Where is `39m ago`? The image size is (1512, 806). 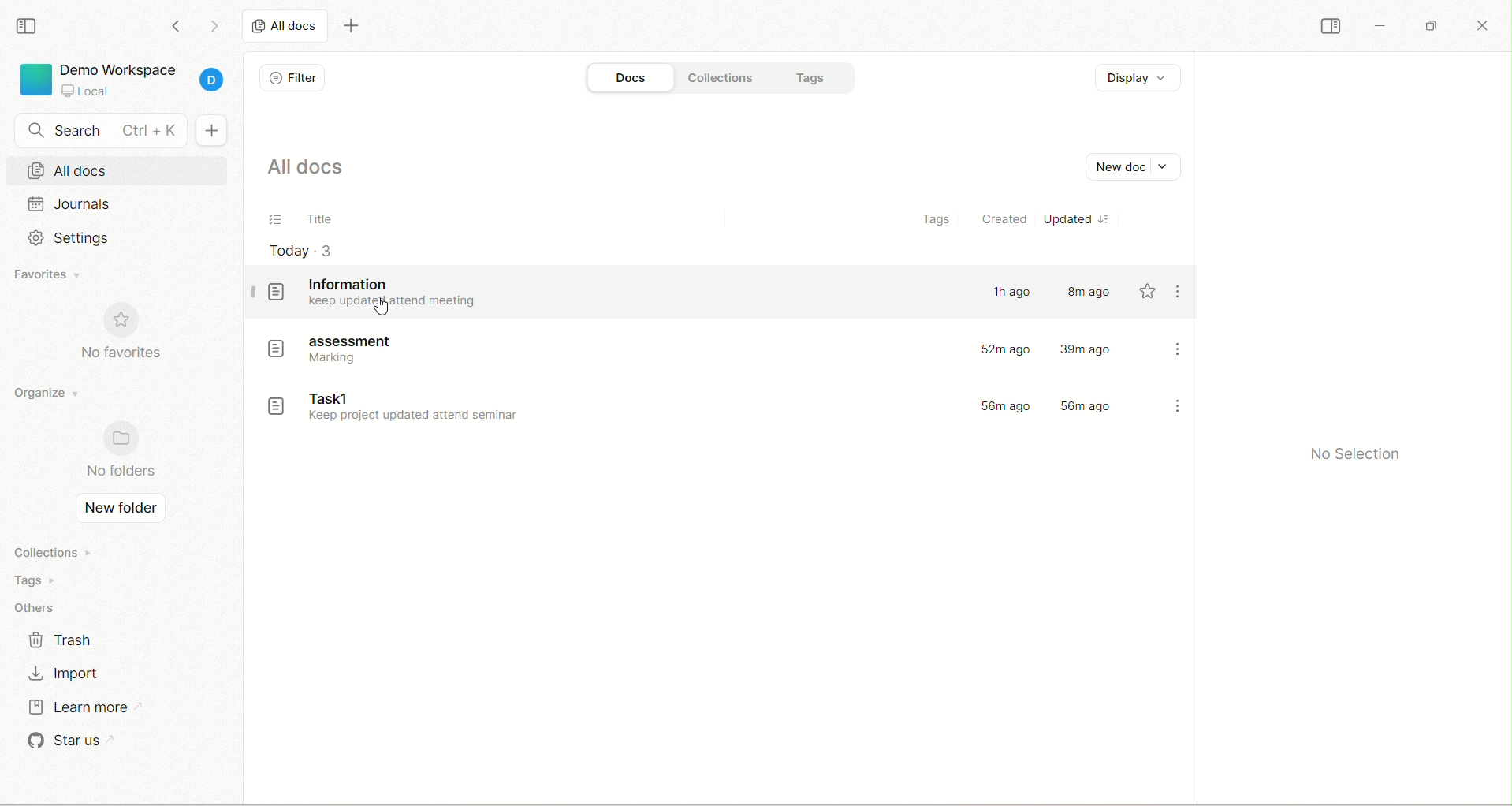
39m ago is located at coordinates (1093, 351).